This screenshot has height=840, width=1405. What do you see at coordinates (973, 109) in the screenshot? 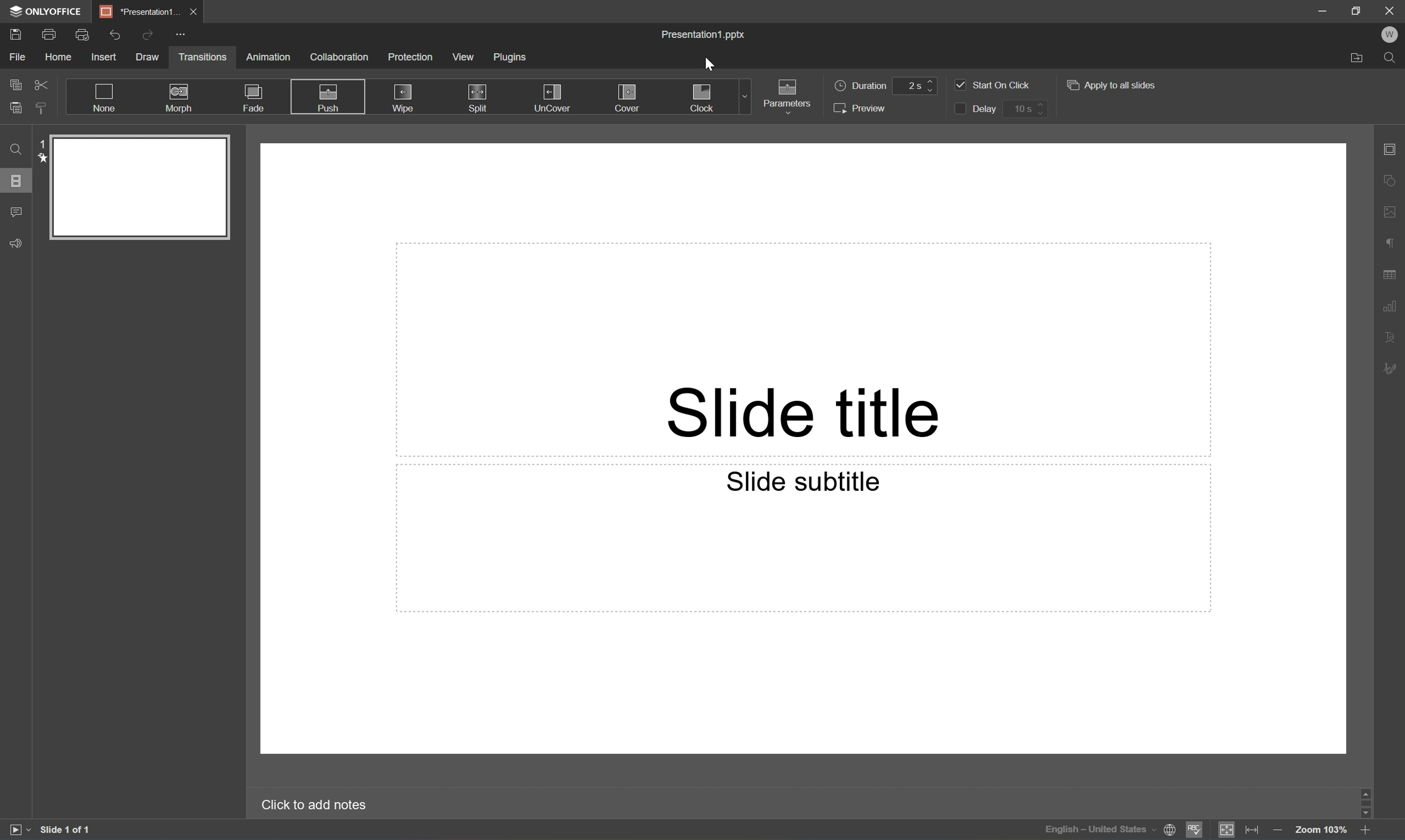
I see `Delay` at bounding box center [973, 109].